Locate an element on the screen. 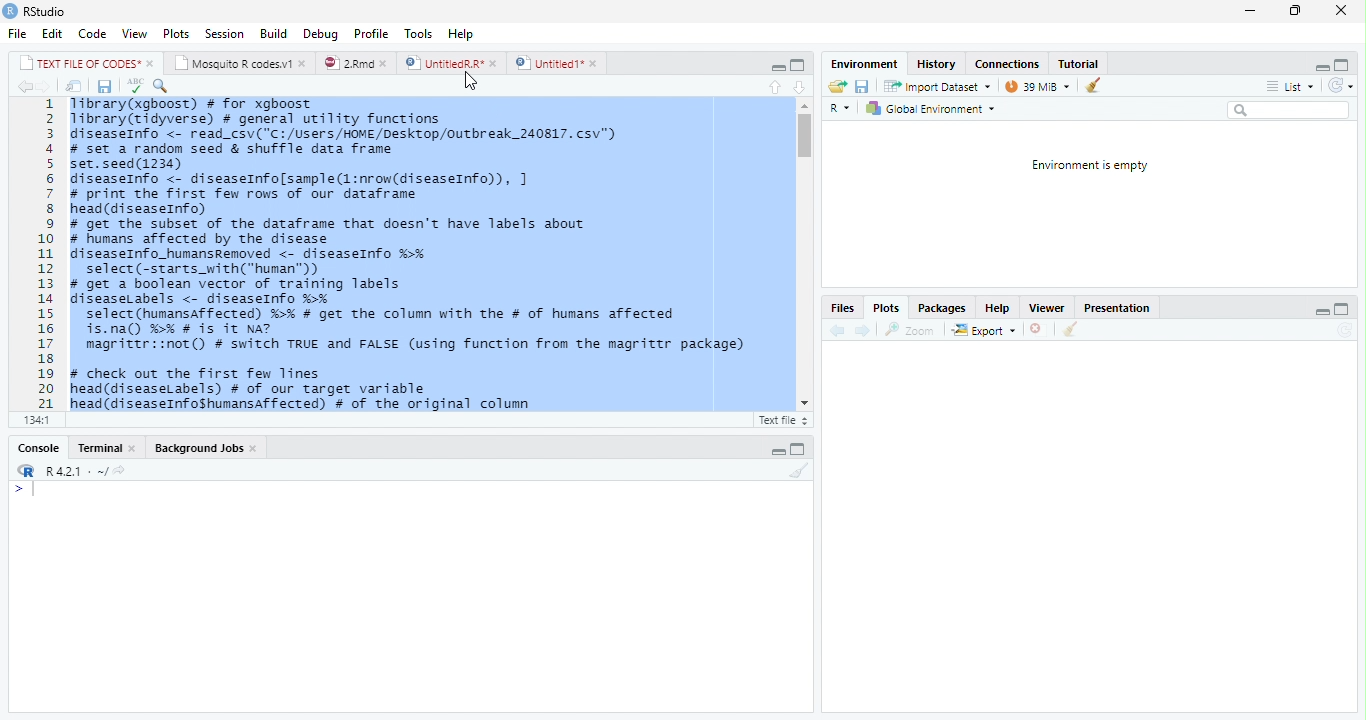  Connections is located at coordinates (1007, 64).